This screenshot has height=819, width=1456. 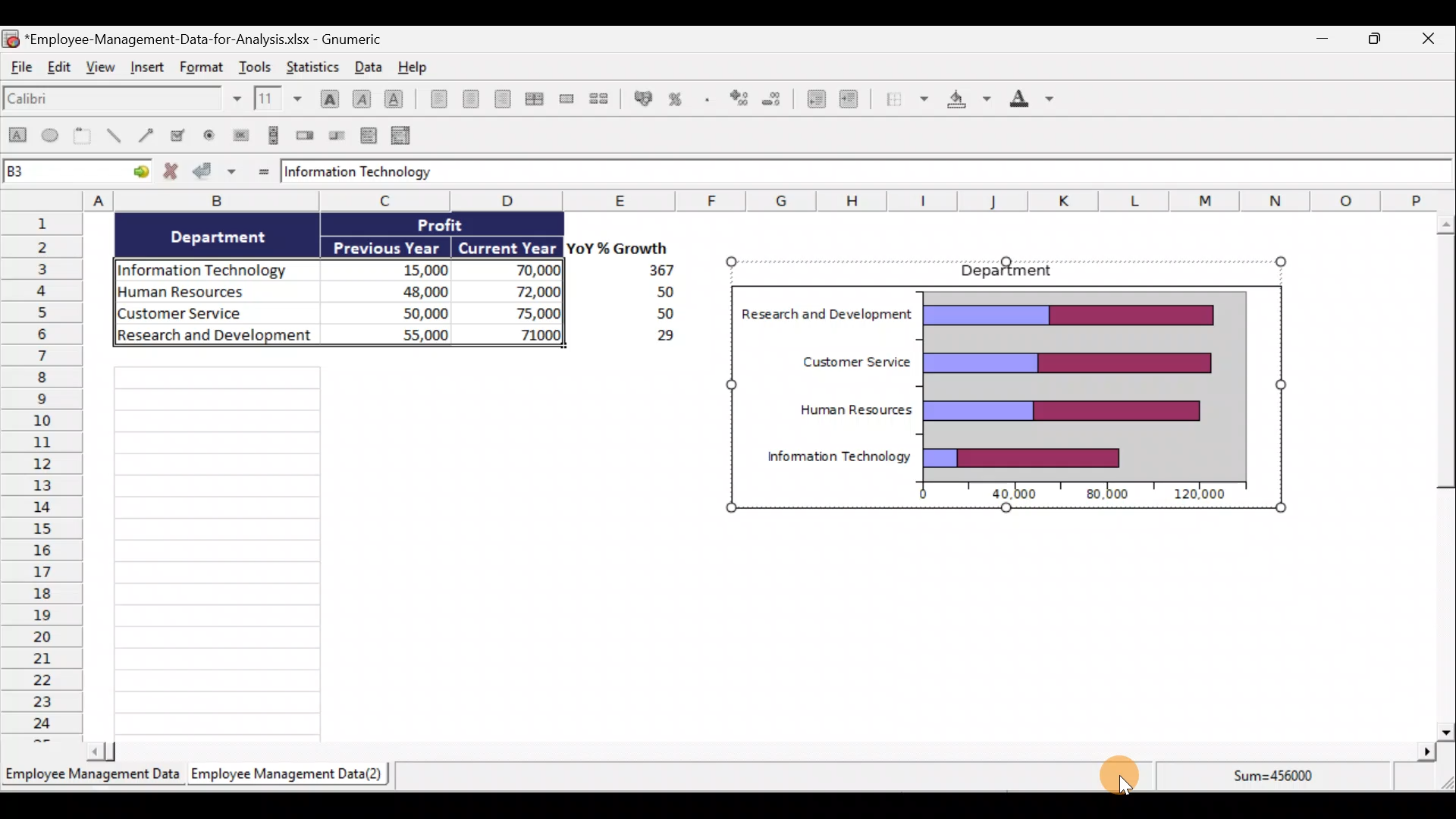 I want to click on Formula bar, so click(x=955, y=174).